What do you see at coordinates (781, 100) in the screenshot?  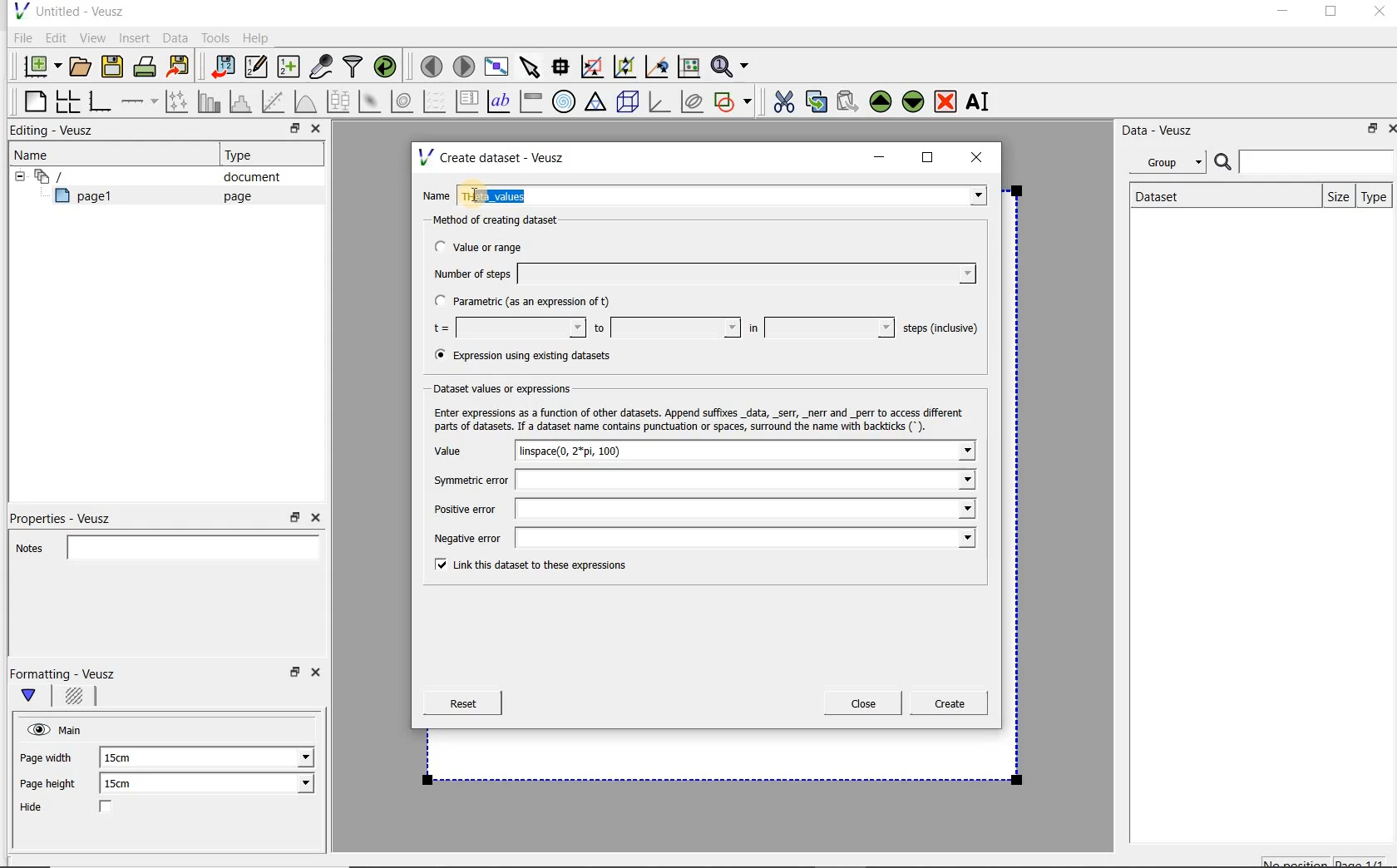 I see `cut the selected widget` at bounding box center [781, 100].